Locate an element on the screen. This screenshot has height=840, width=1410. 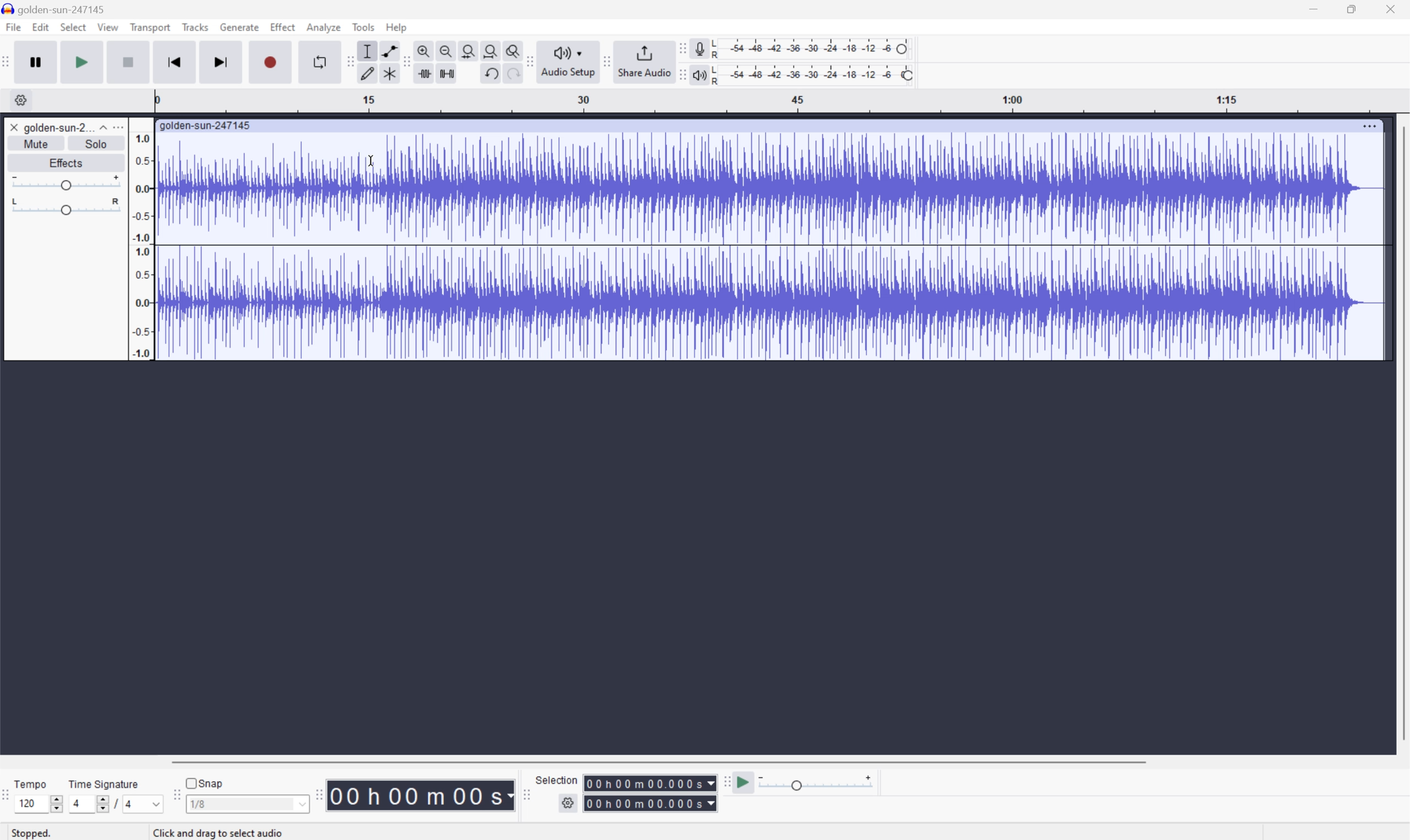
 is located at coordinates (55, 128).